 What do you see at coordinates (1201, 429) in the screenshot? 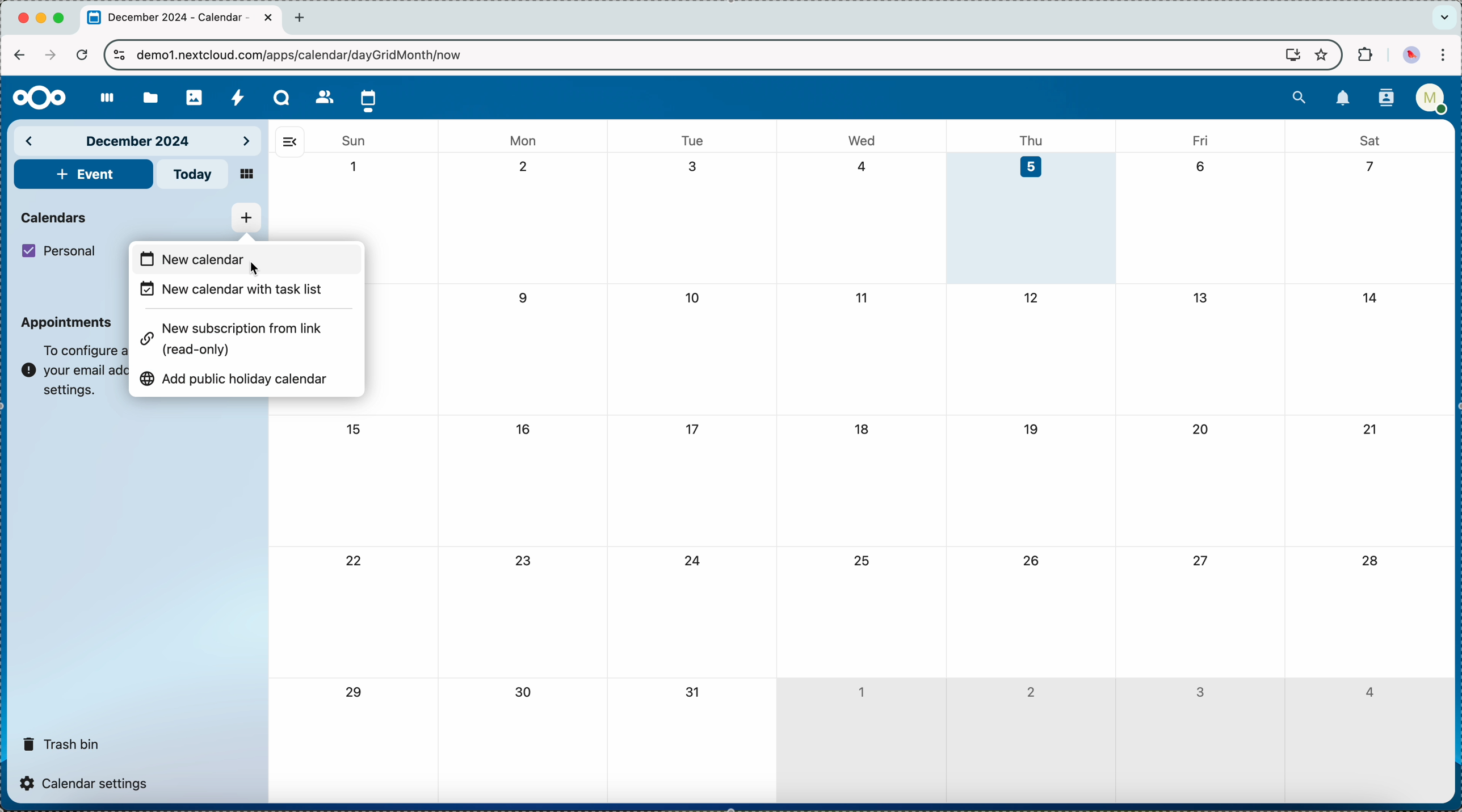
I see `20` at bounding box center [1201, 429].